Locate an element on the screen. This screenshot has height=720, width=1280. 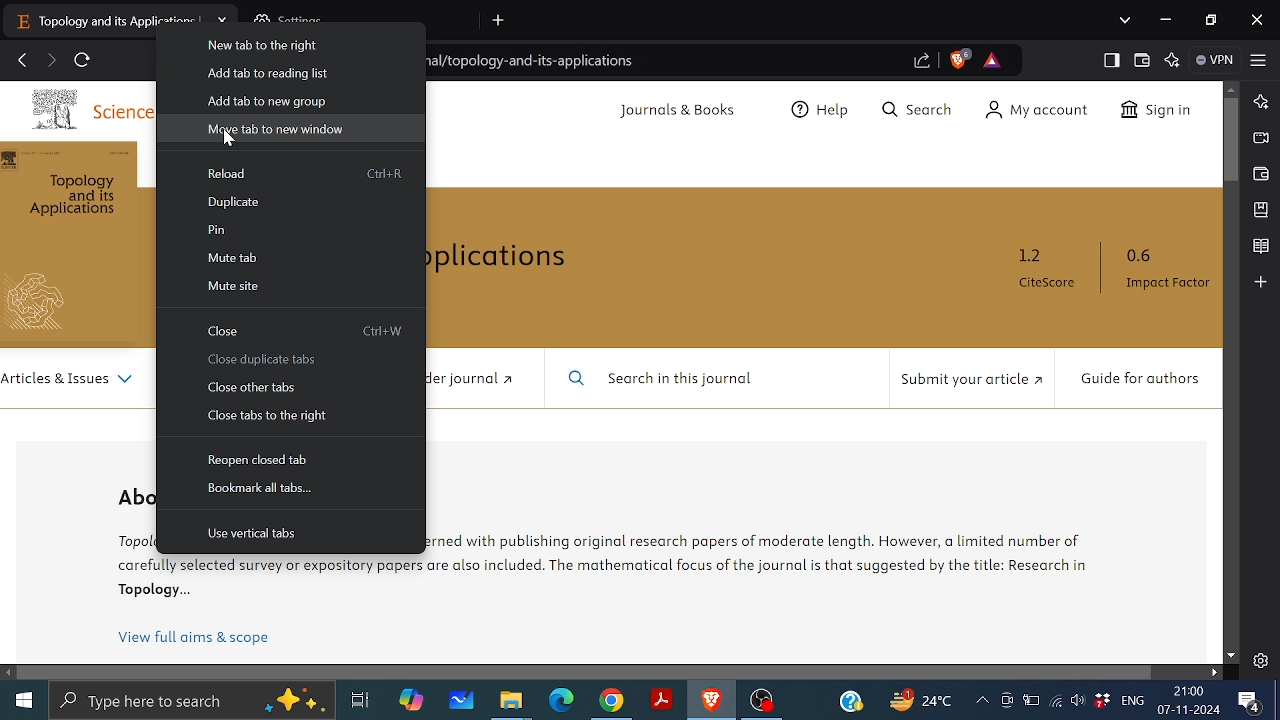
Leo AI is located at coordinates (1173, 62).